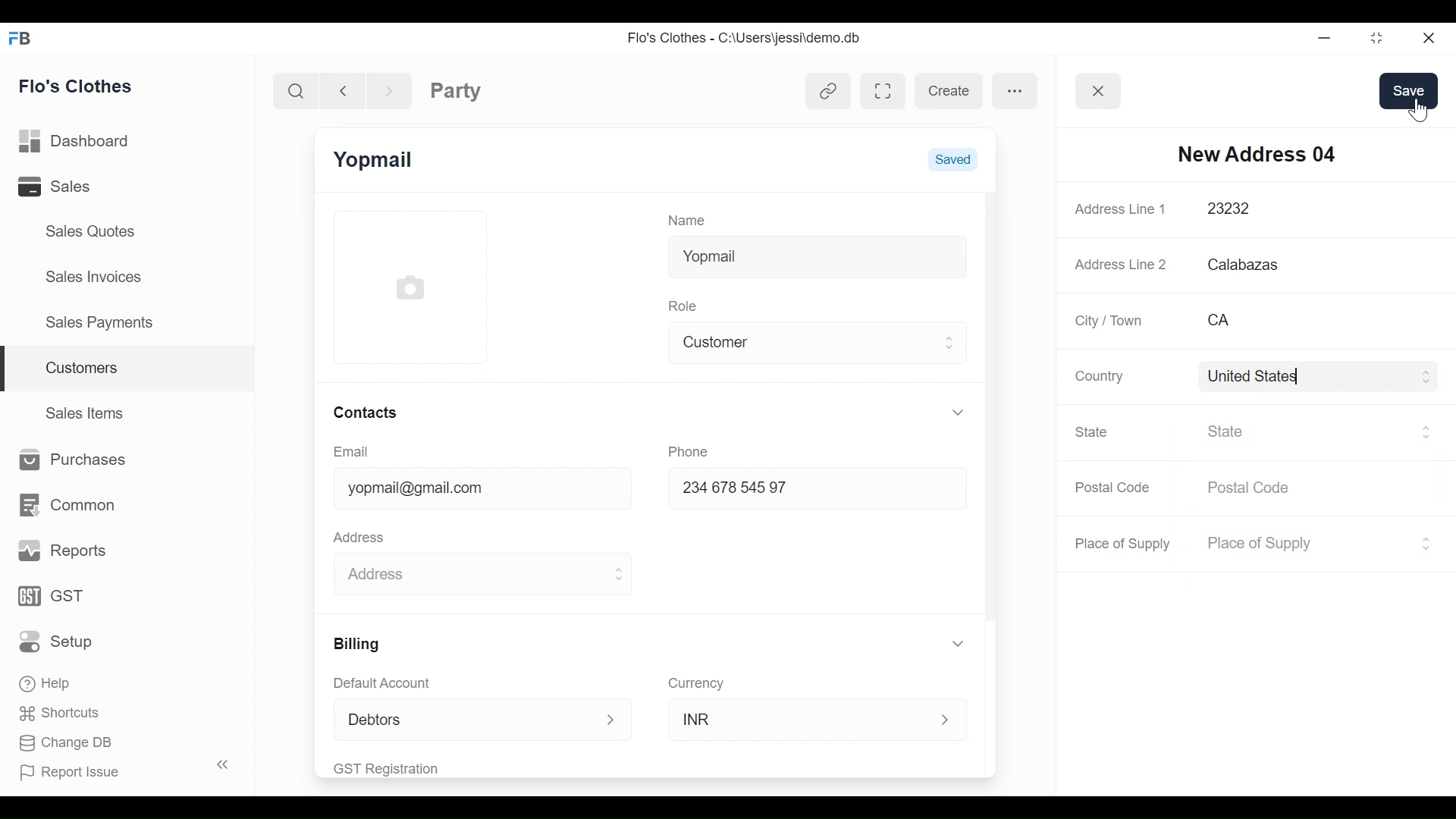  I want to click on Expand, so click(958, 412).